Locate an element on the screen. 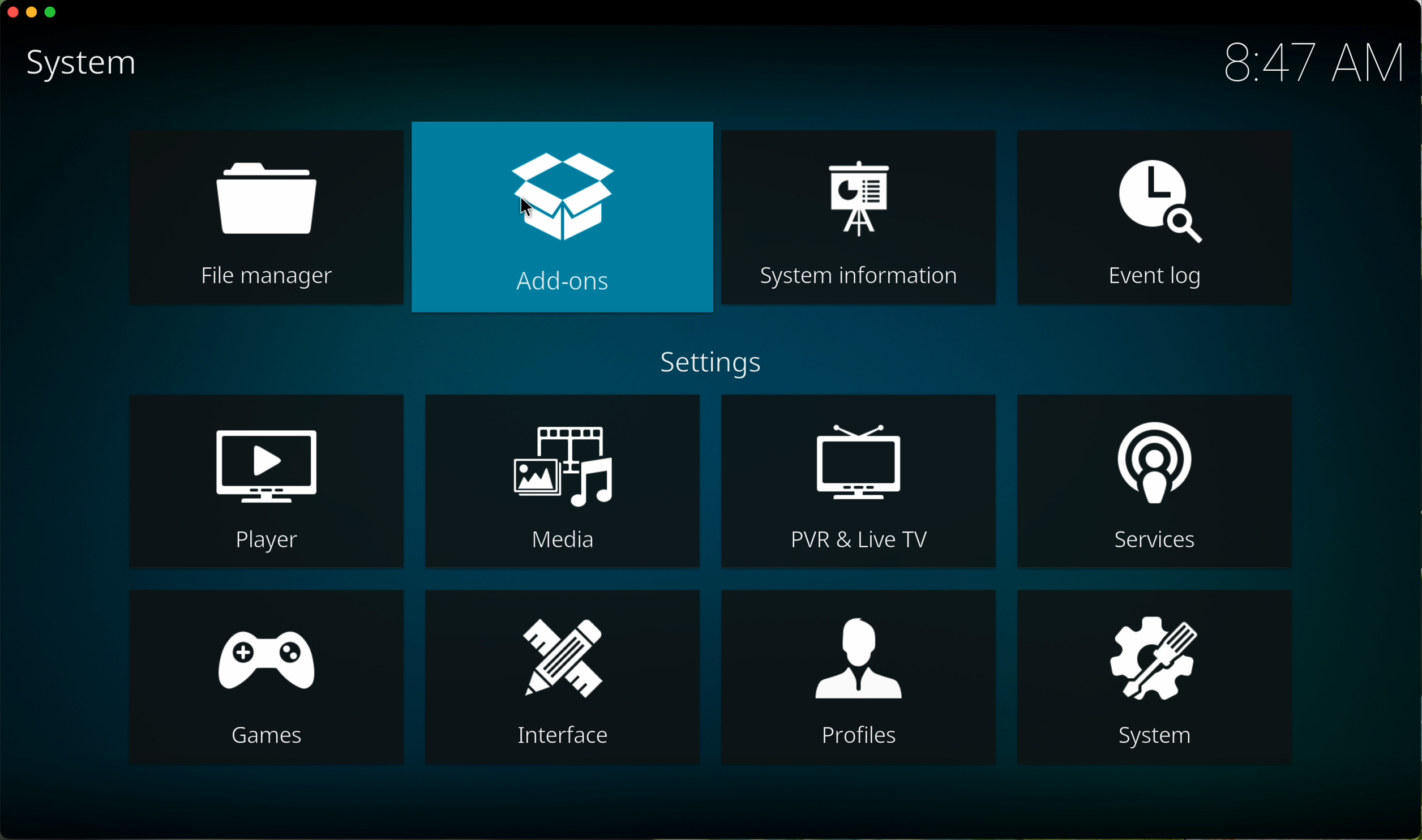 This screenshot has height=840, width=1422. settings is located at coordinates (711, 364).